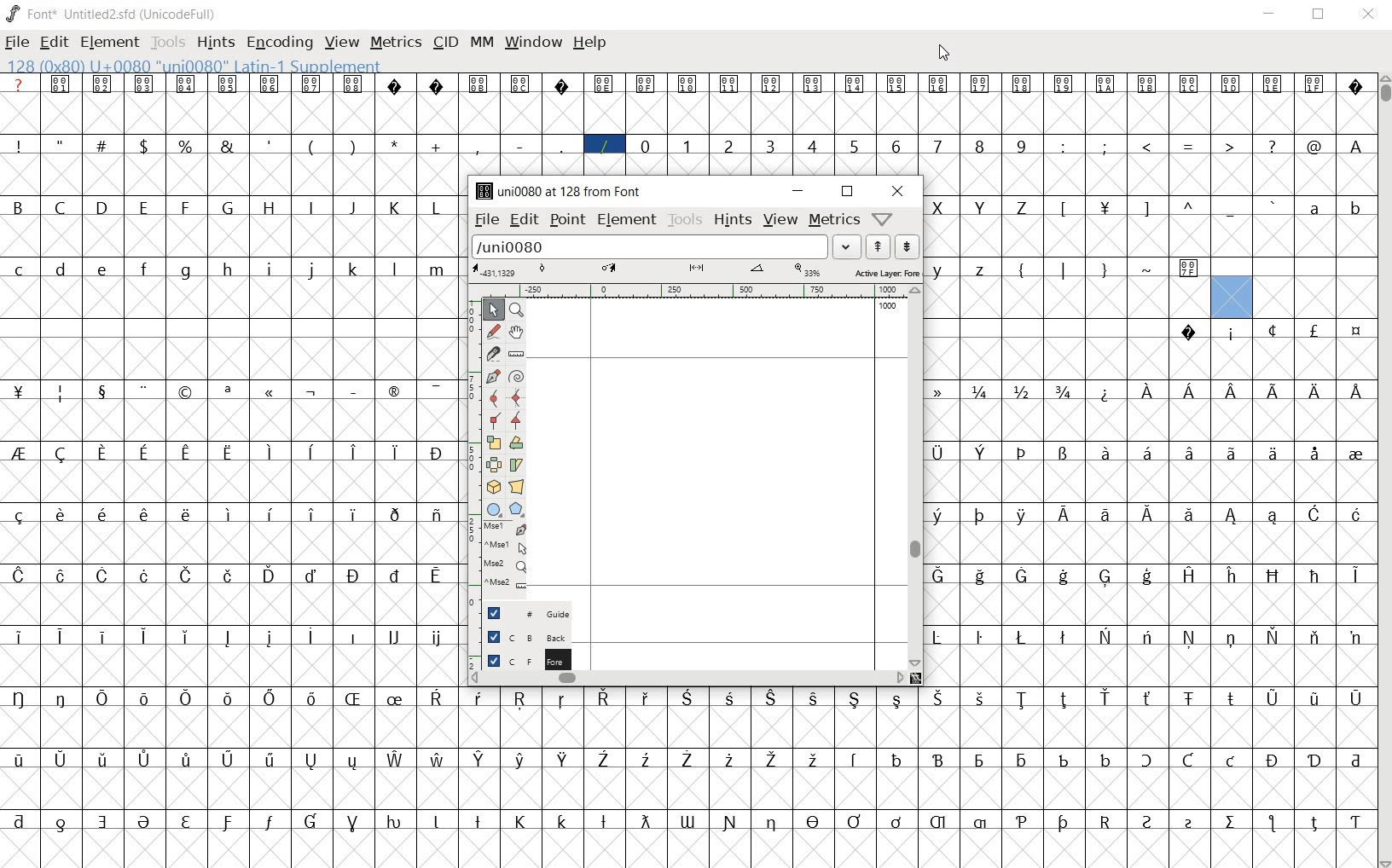 The width and height of the screenshot is (1392, 868). What do you see at coordinates (814, 759) in the screenshot?
I see `glyph` at bounding box center [814, 759].